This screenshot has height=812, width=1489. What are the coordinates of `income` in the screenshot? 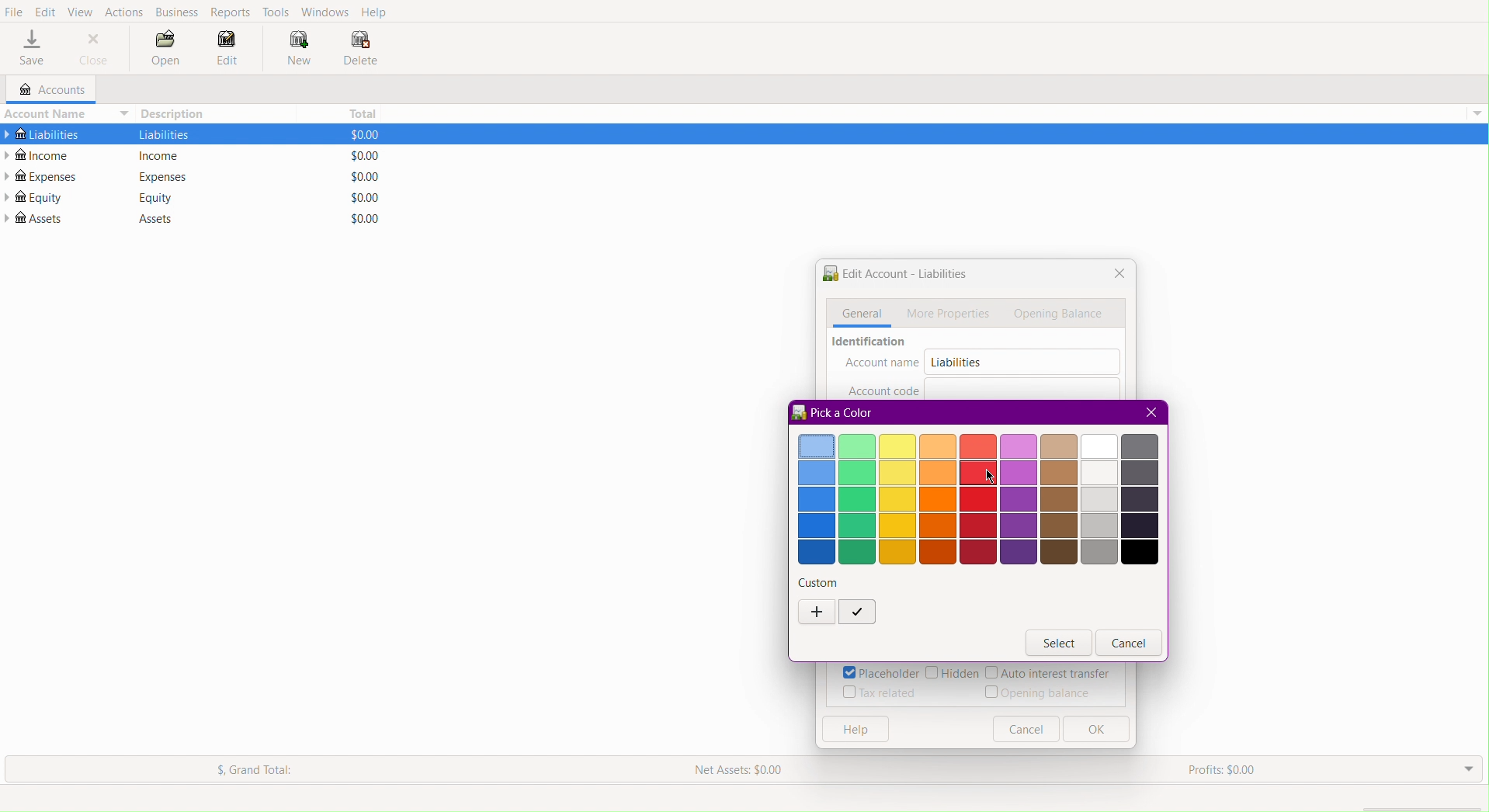 It's located at (161, 156).